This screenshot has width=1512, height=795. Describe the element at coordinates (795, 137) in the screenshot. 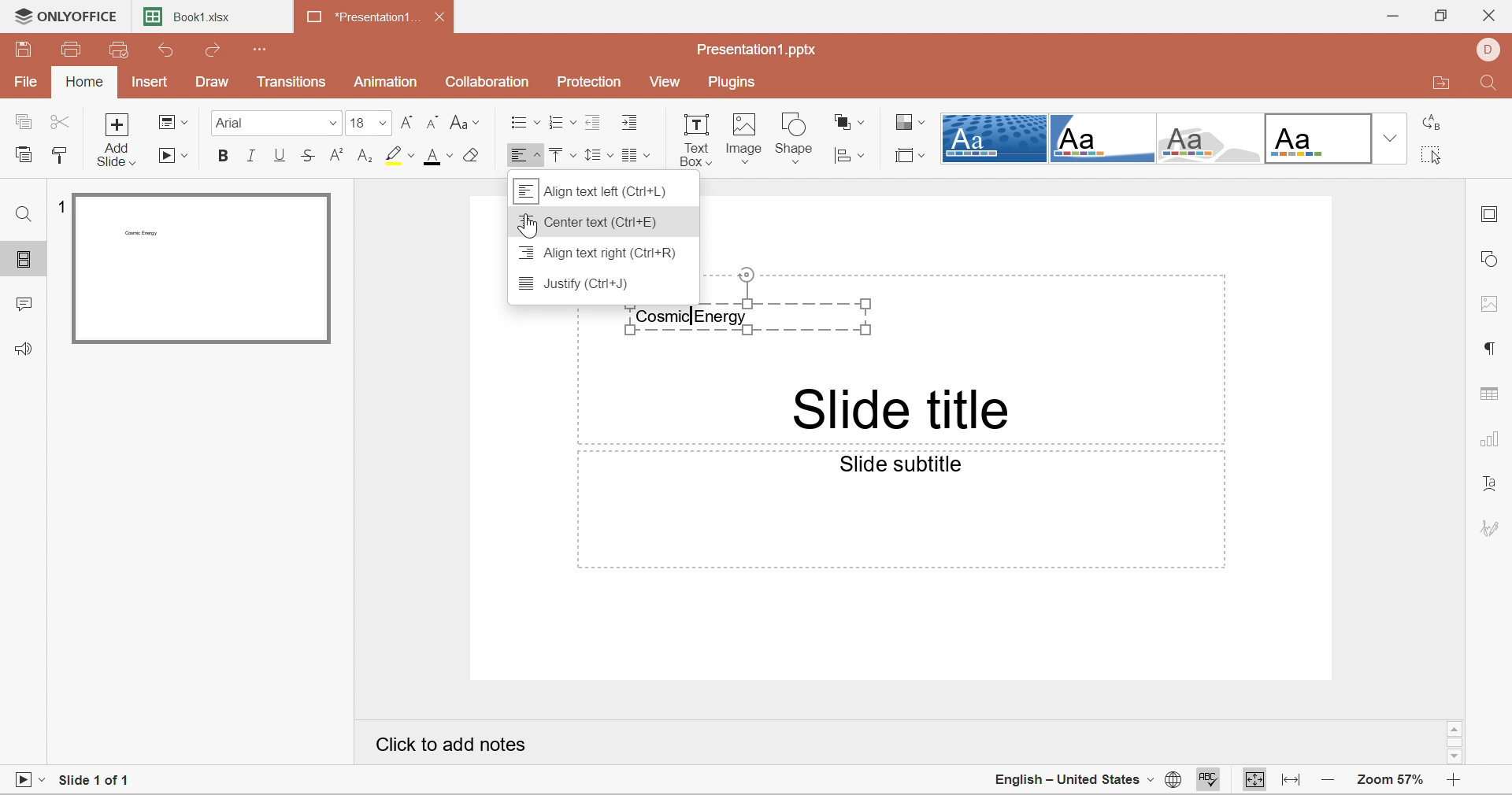

I see `Shape` at that location.